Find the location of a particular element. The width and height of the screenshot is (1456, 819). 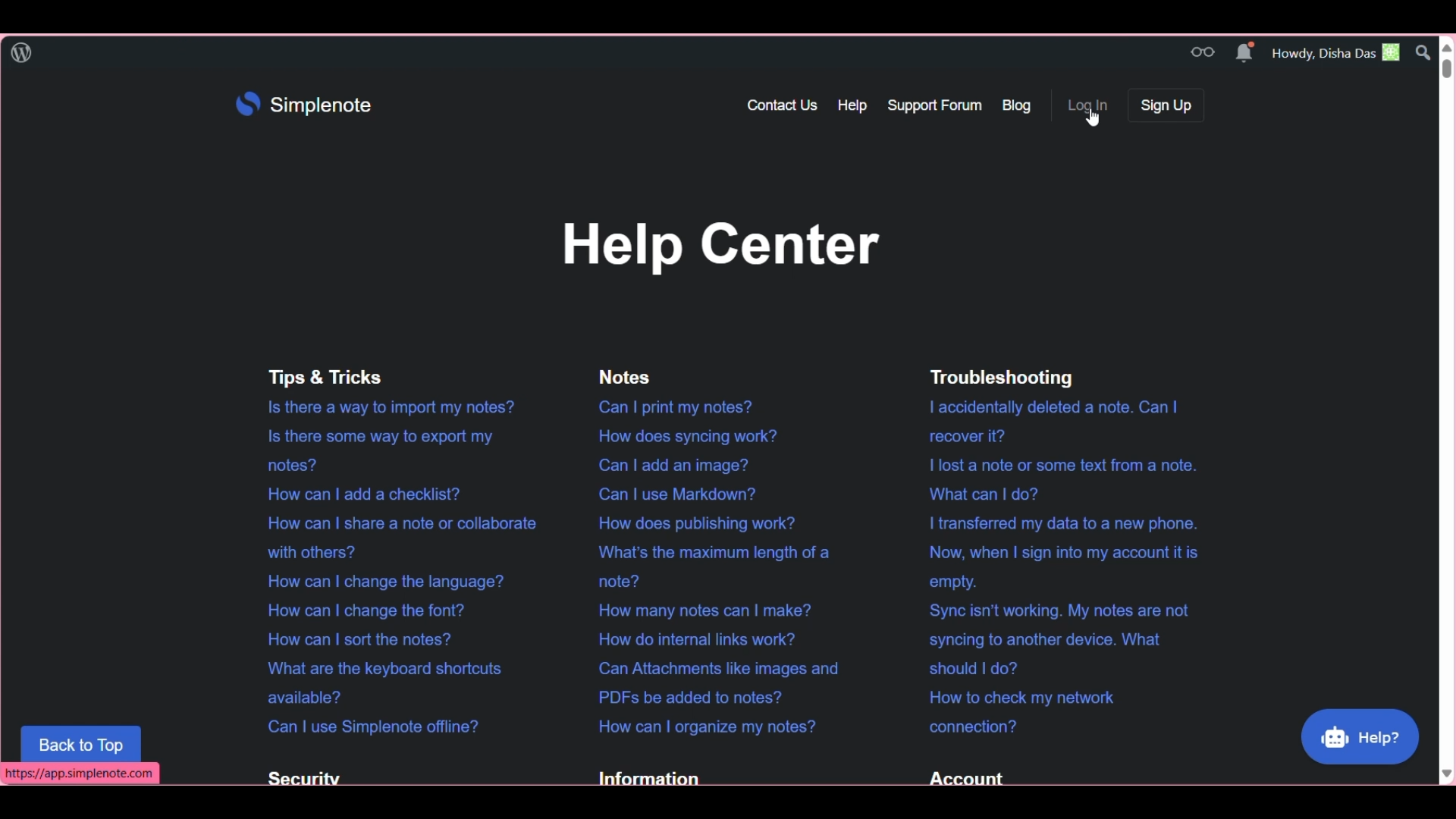

 PDFs be added to notes? is located at coordinates (723, 684).